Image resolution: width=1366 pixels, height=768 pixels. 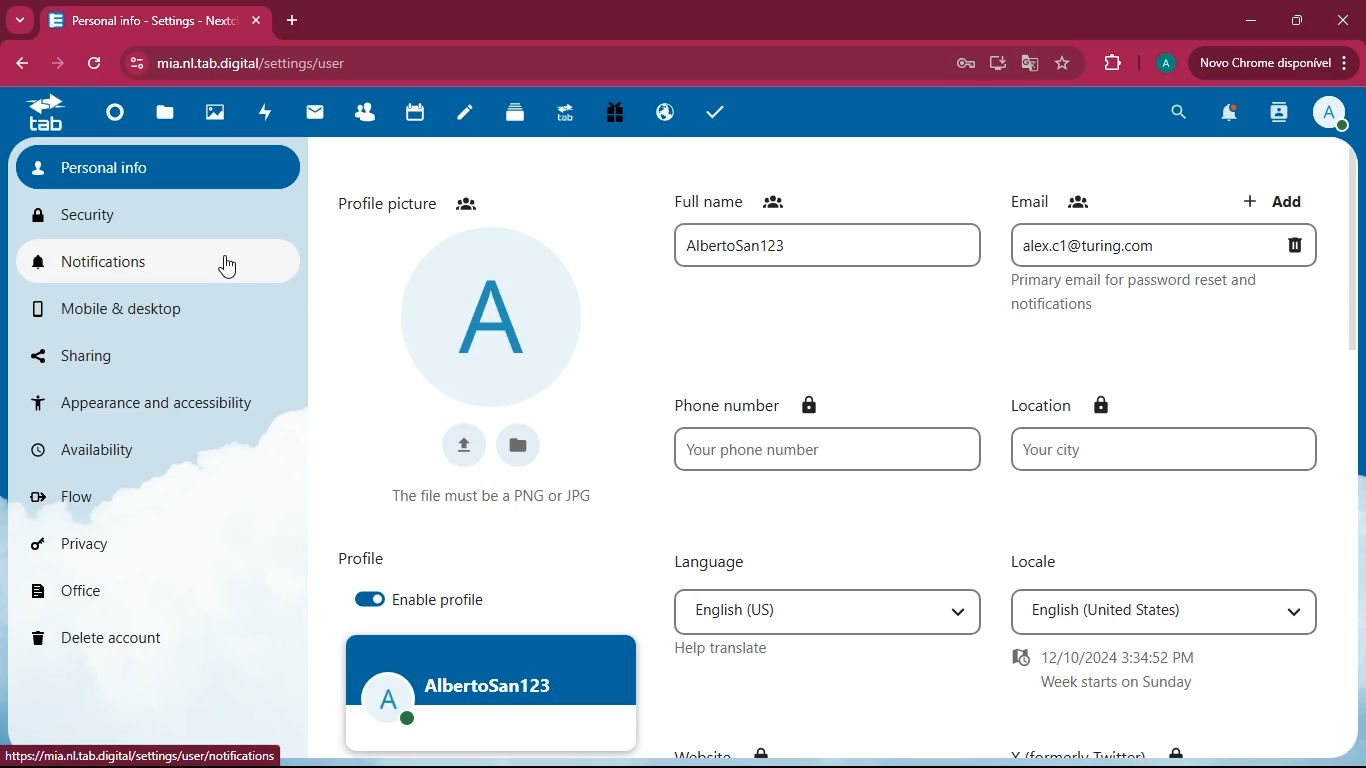 I want to click on office, so click(x=128, y=591).